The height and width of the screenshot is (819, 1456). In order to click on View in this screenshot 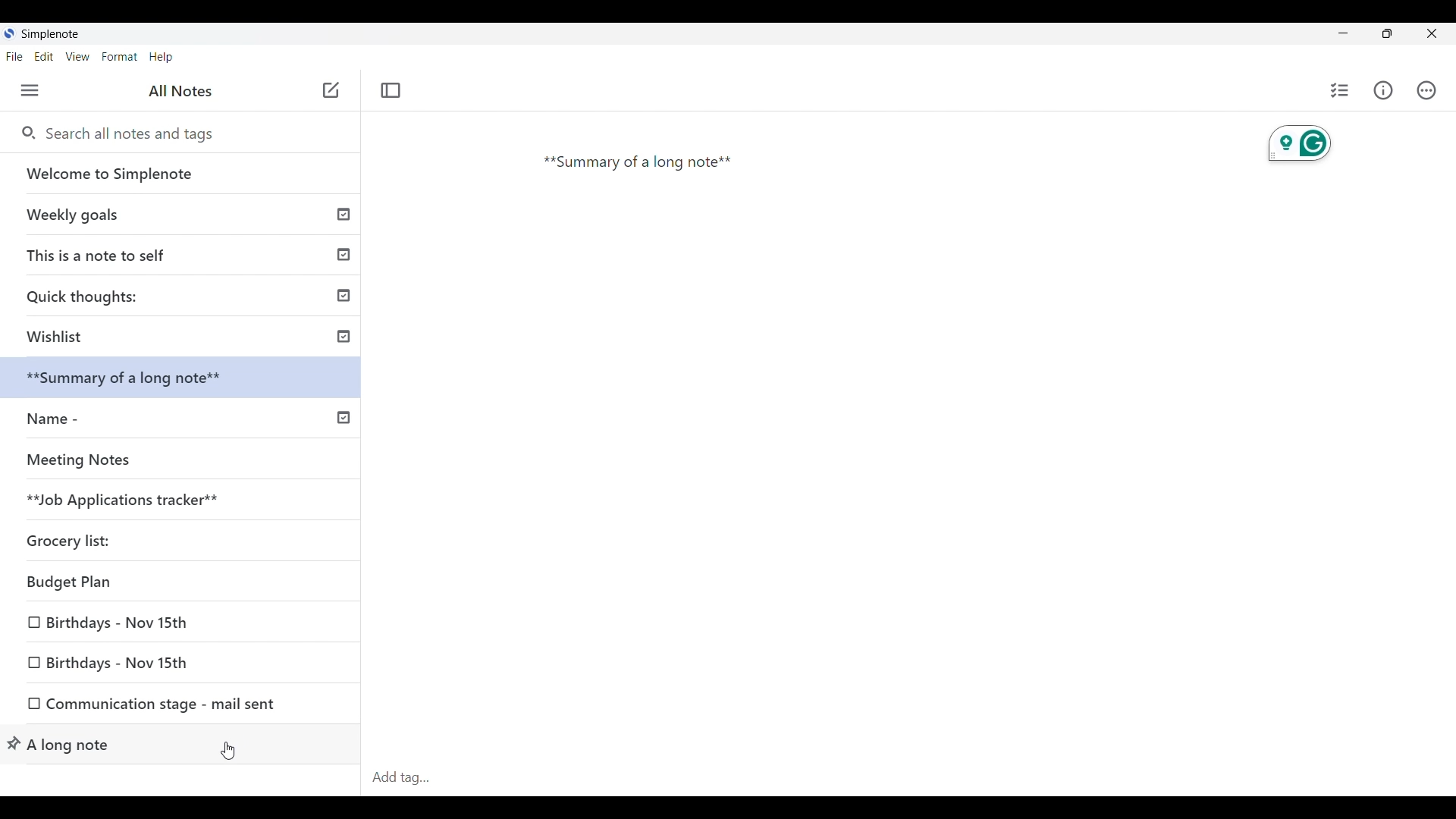, I will do `click(78, 57)`.